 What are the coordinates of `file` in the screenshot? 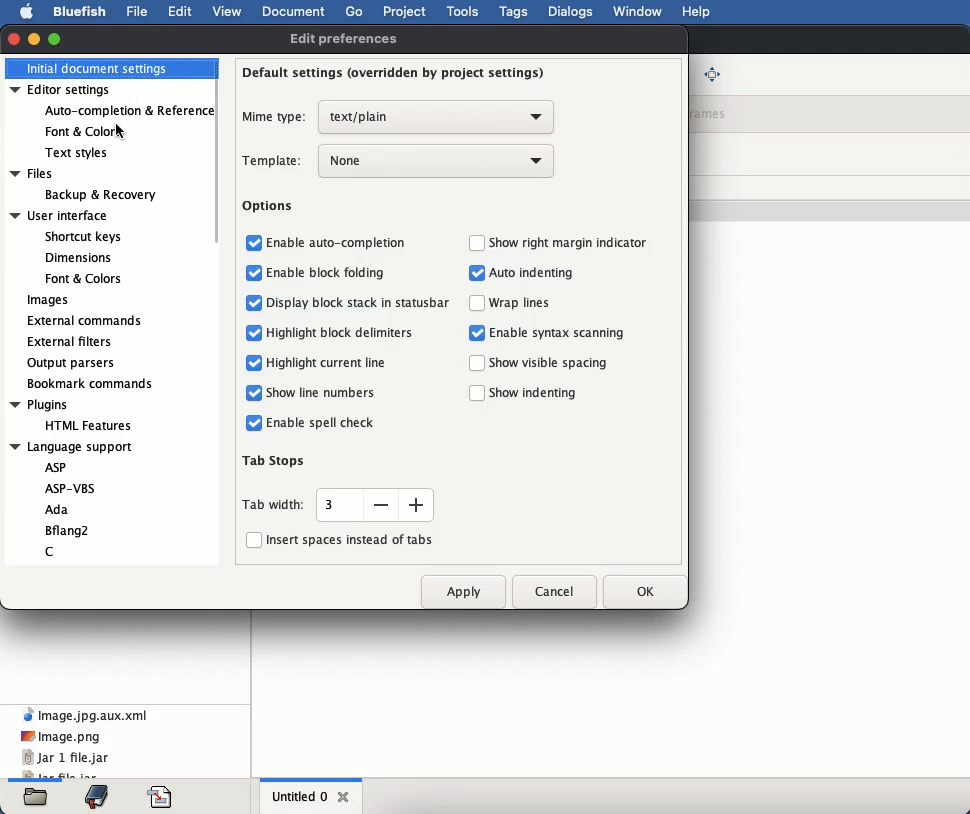 It's located at (136, 11).